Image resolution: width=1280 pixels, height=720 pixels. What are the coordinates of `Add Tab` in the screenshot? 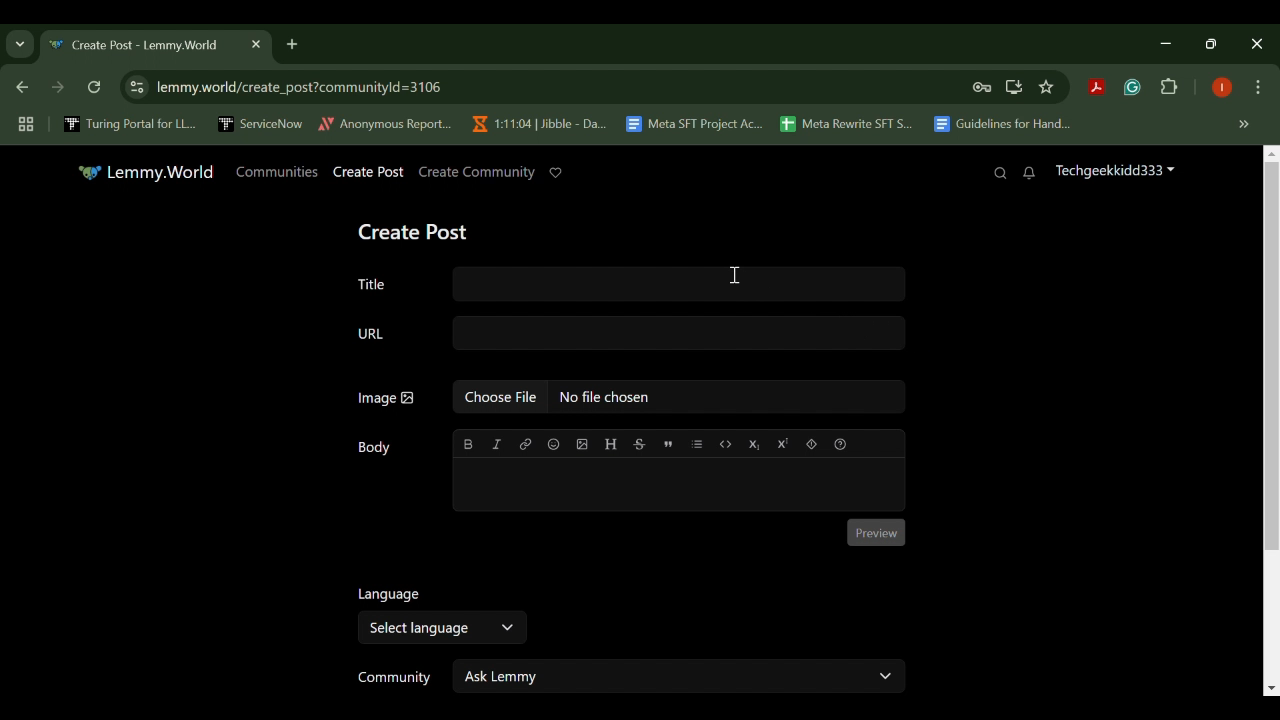 It's located at (291, 43).